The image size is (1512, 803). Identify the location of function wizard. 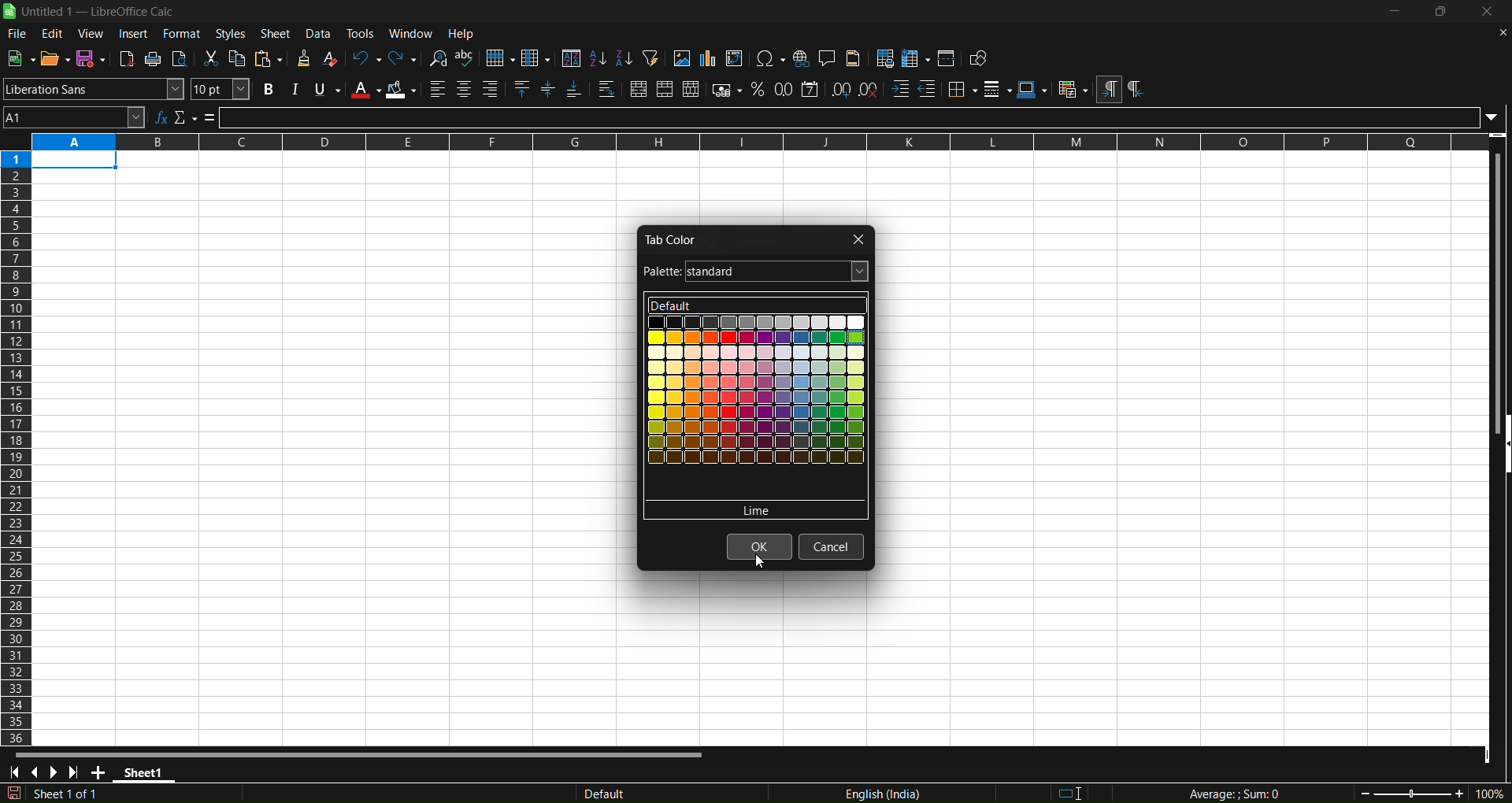
(161, 117).